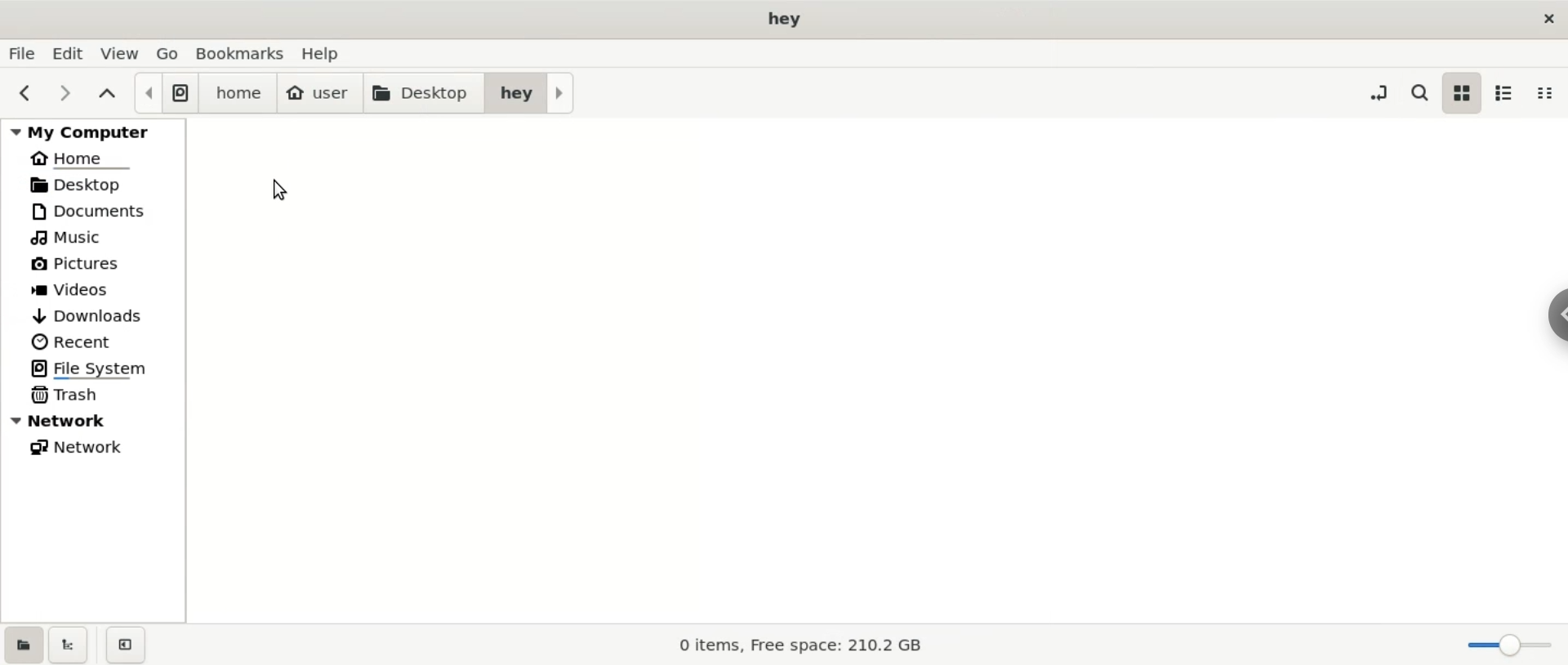  What do you see at coordinates (1558, 316) in the screenshot?
I see `sidebar` at bounding box center [1558, 316].